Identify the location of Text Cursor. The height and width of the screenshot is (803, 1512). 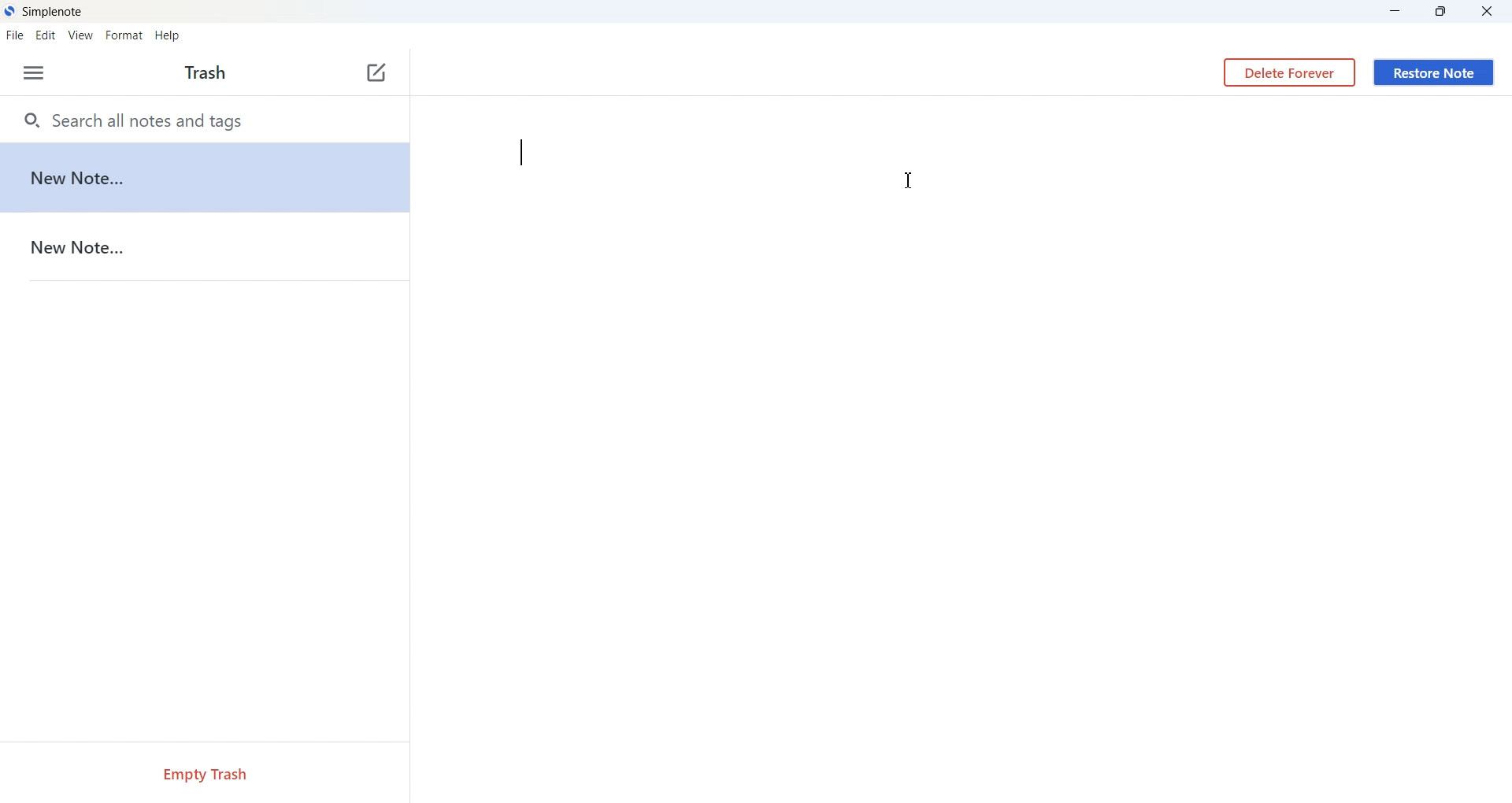
(910, 179).